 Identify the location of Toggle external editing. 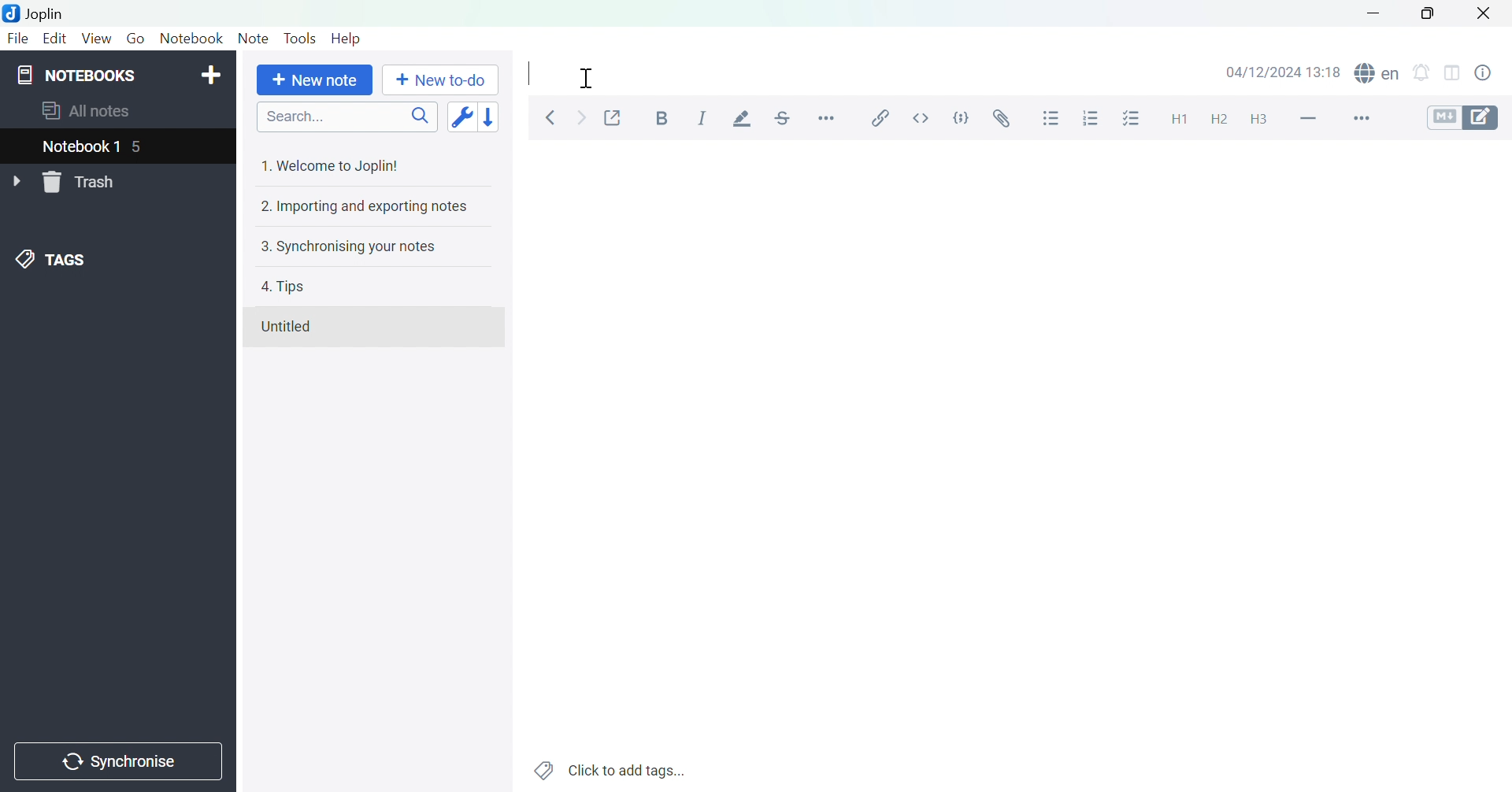
(613, 117).